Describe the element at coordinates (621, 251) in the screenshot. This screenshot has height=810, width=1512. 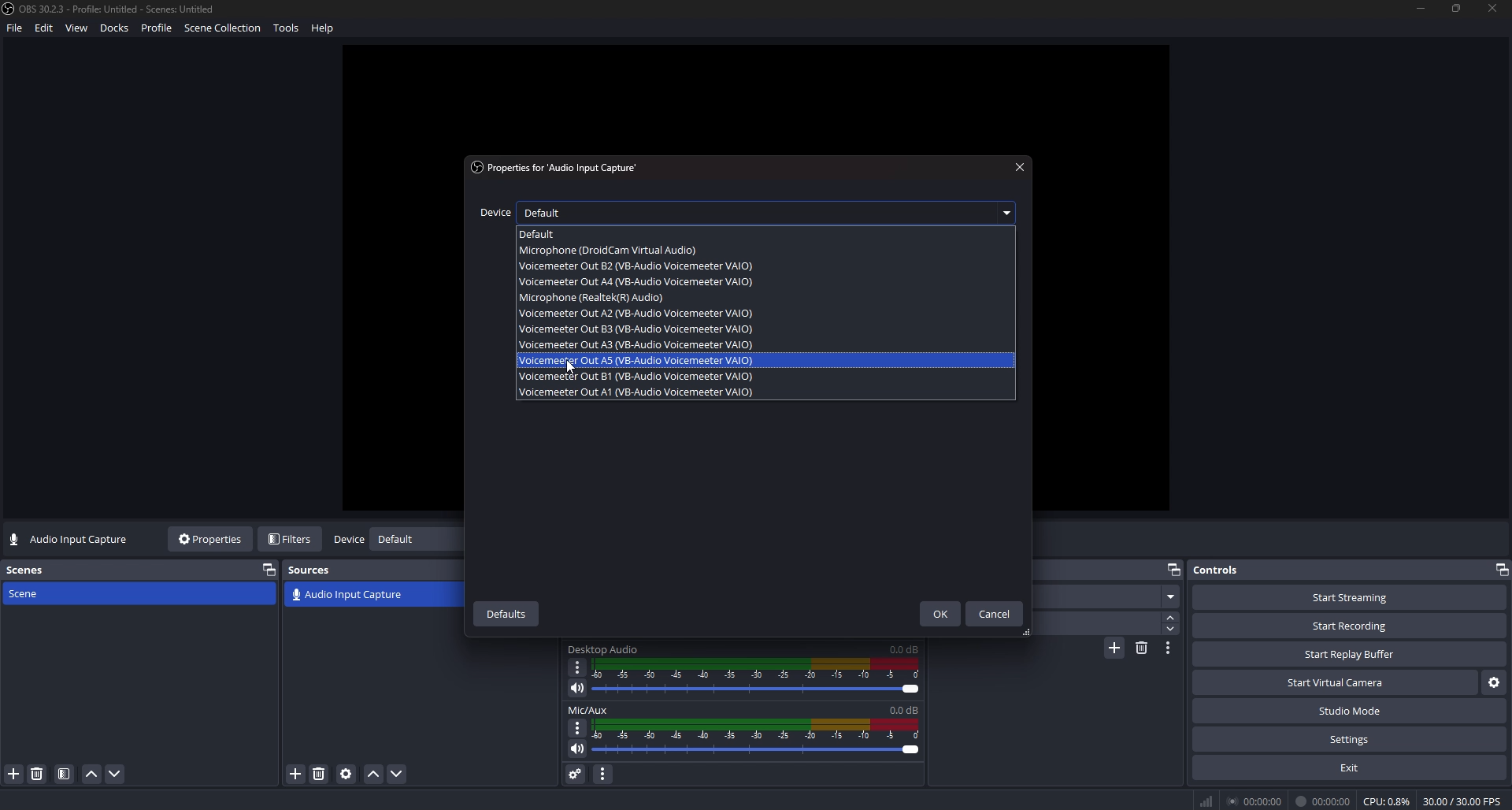
I see `microphone` at that location.